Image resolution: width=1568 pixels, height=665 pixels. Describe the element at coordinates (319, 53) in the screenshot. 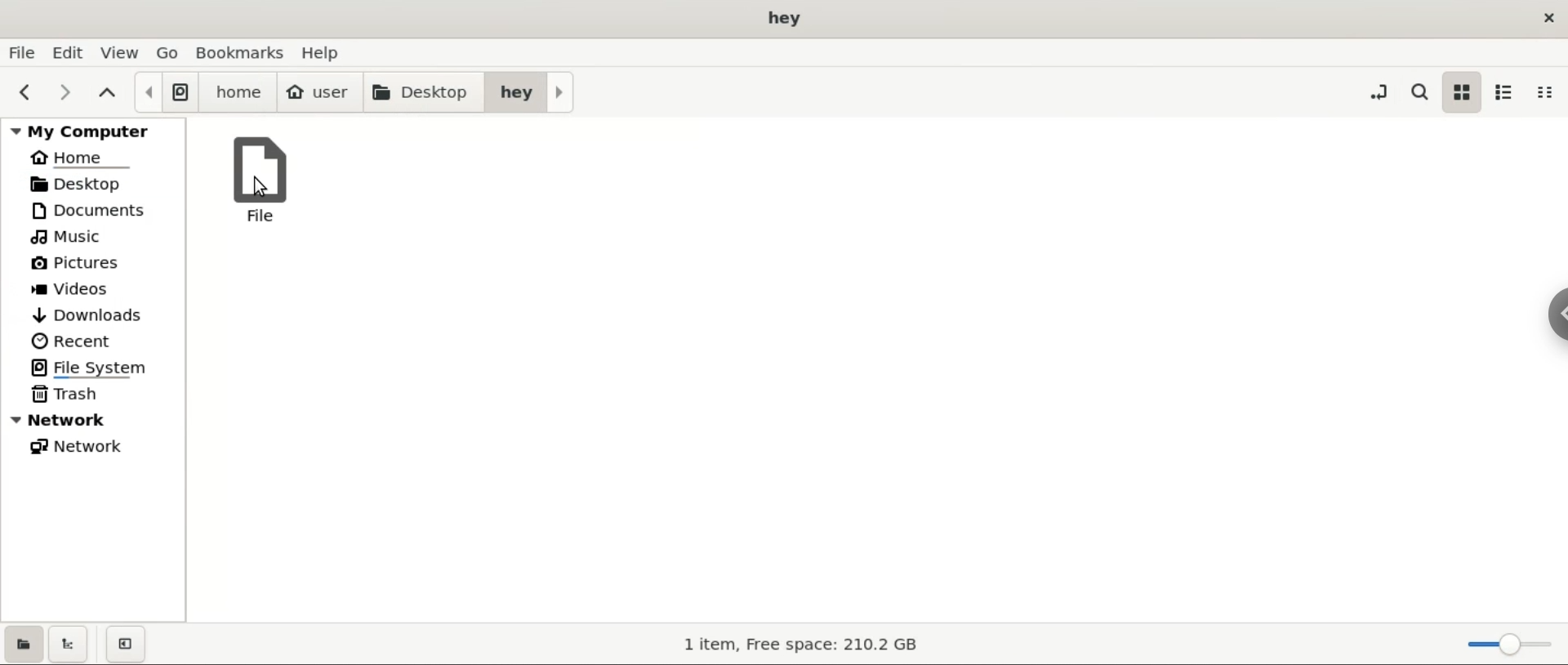

I see `help` at that location.